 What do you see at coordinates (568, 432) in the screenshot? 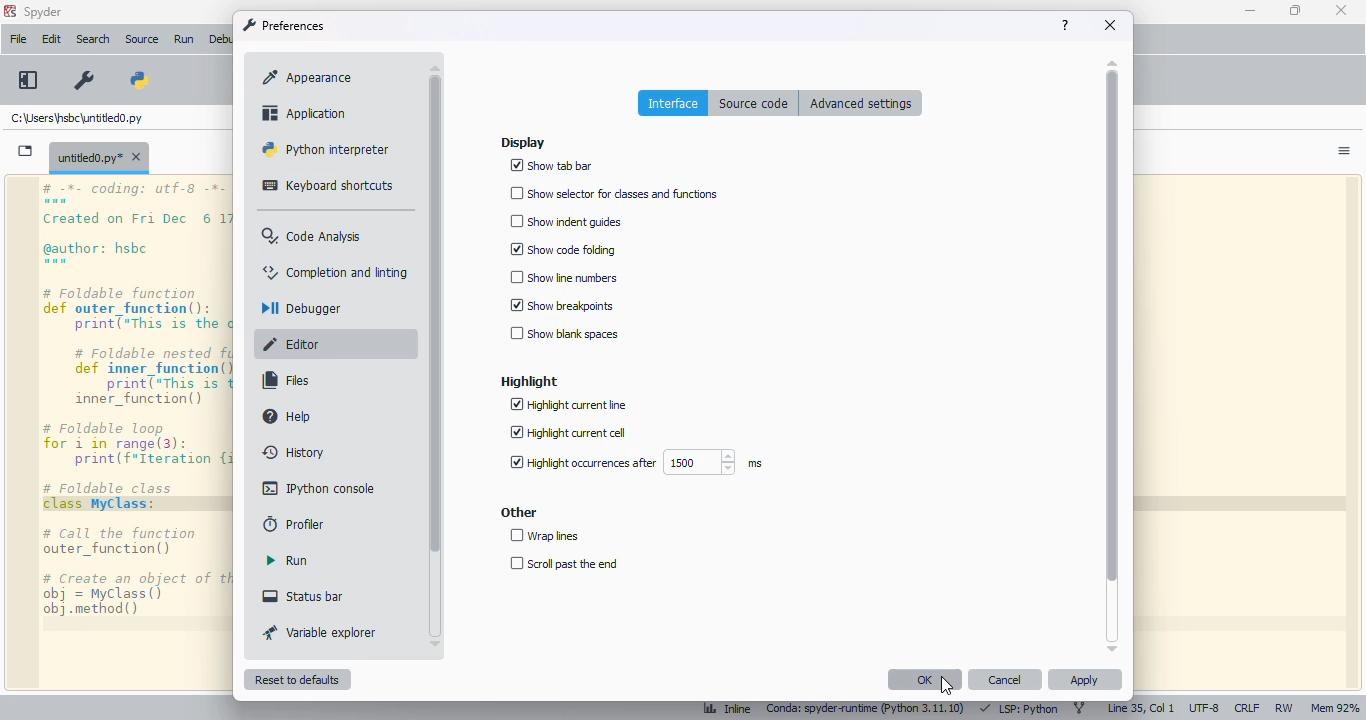
I see `highlight current cell` at bounding box center [568, 432].